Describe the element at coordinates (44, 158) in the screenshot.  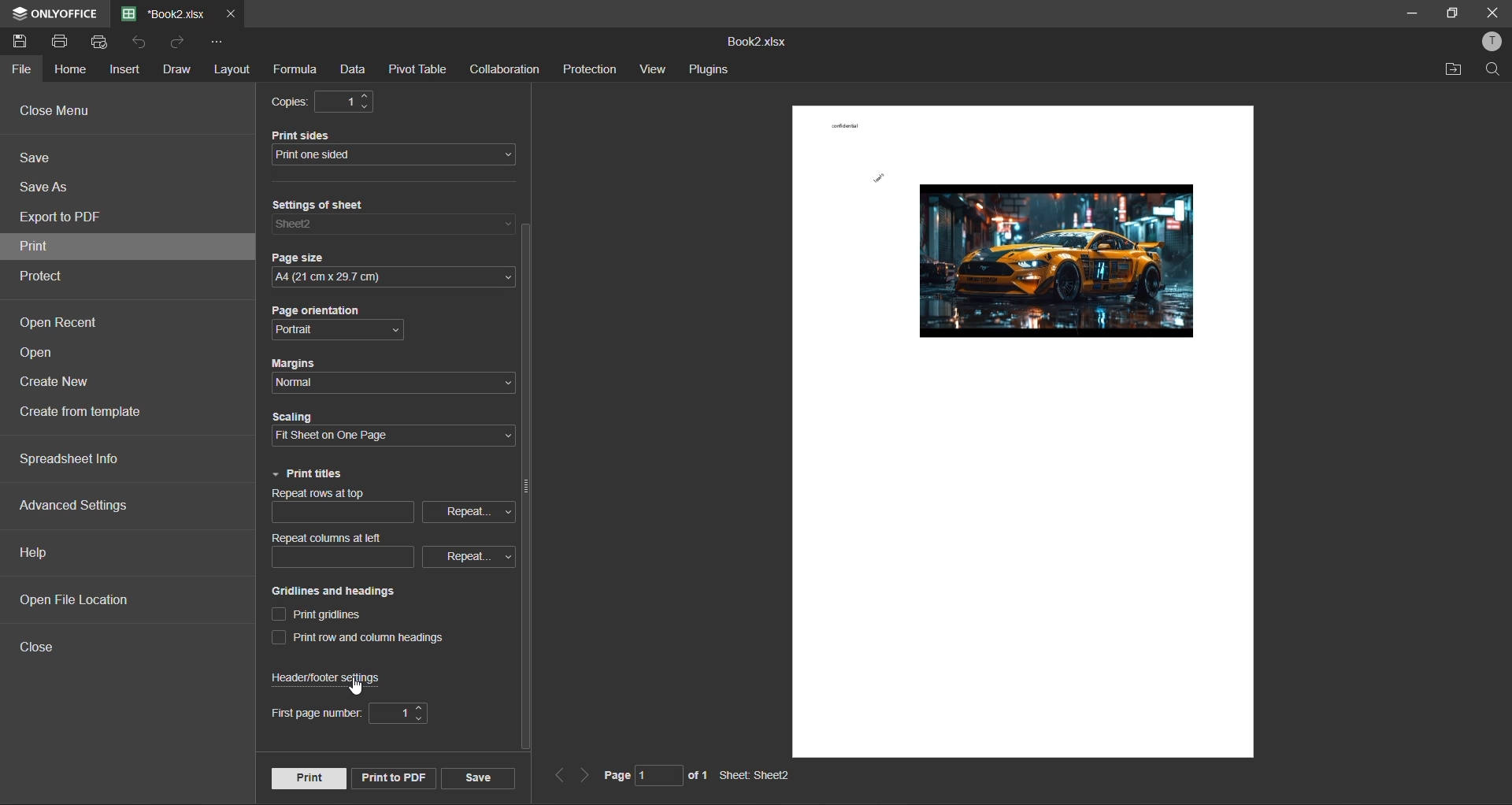
I see `save` at that location.